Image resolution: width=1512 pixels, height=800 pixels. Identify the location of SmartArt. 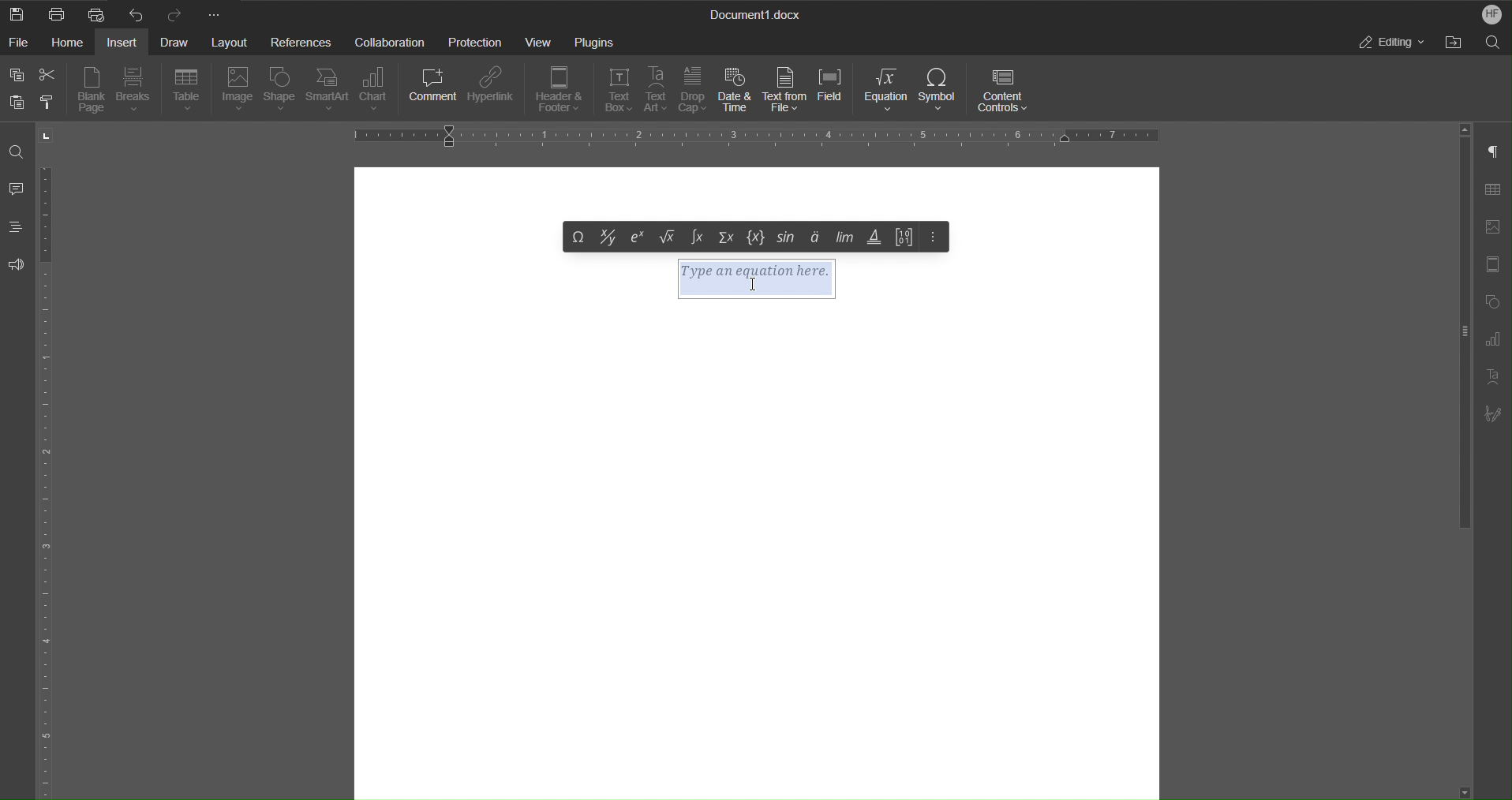
(327, 91).